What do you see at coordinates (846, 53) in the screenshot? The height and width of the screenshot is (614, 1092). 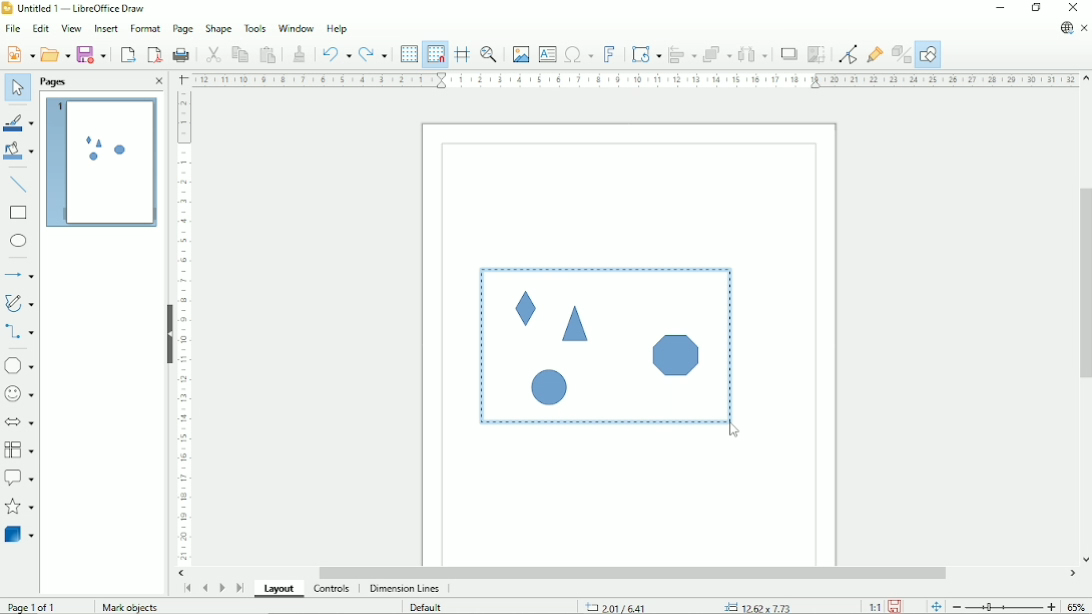 I see `Toggle point edit mode` at bounding box center [846, 53].